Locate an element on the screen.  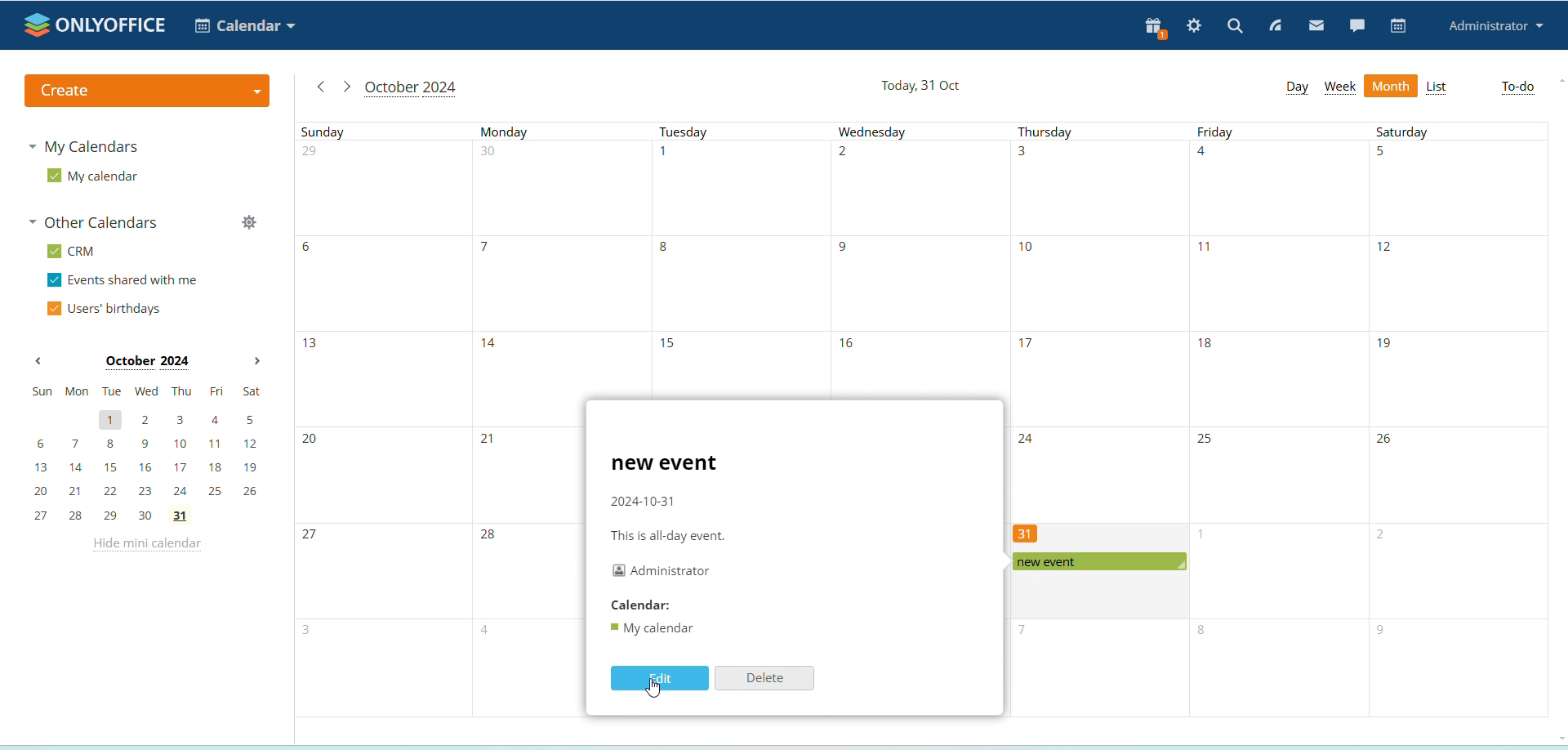
manage is located at coordinates (248, 225).